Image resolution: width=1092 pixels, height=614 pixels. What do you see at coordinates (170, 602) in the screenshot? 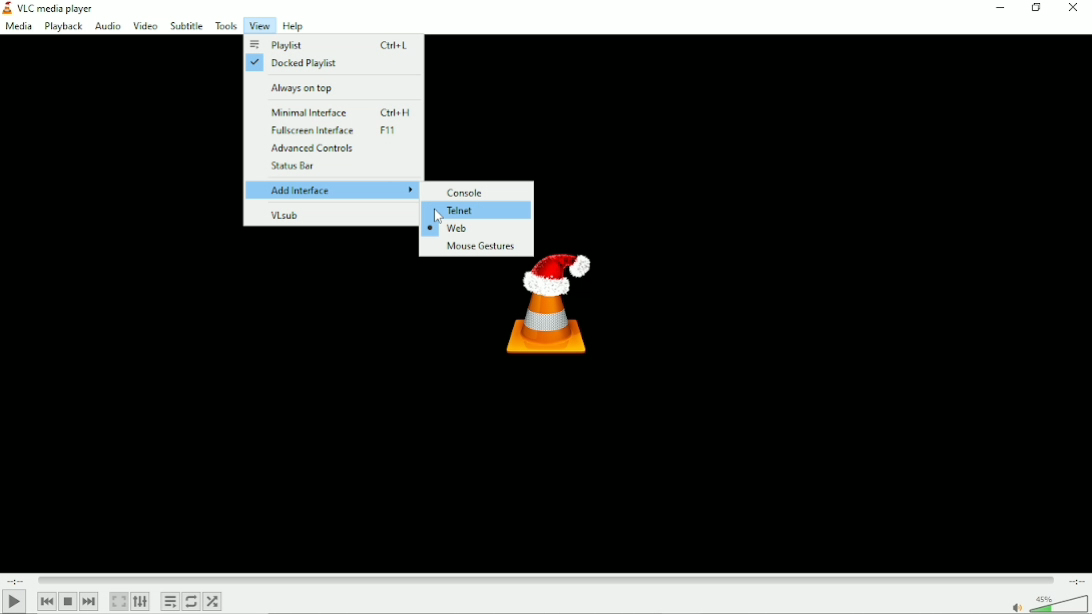
I see `Toggle playlist` at bounding box center [170, 602].